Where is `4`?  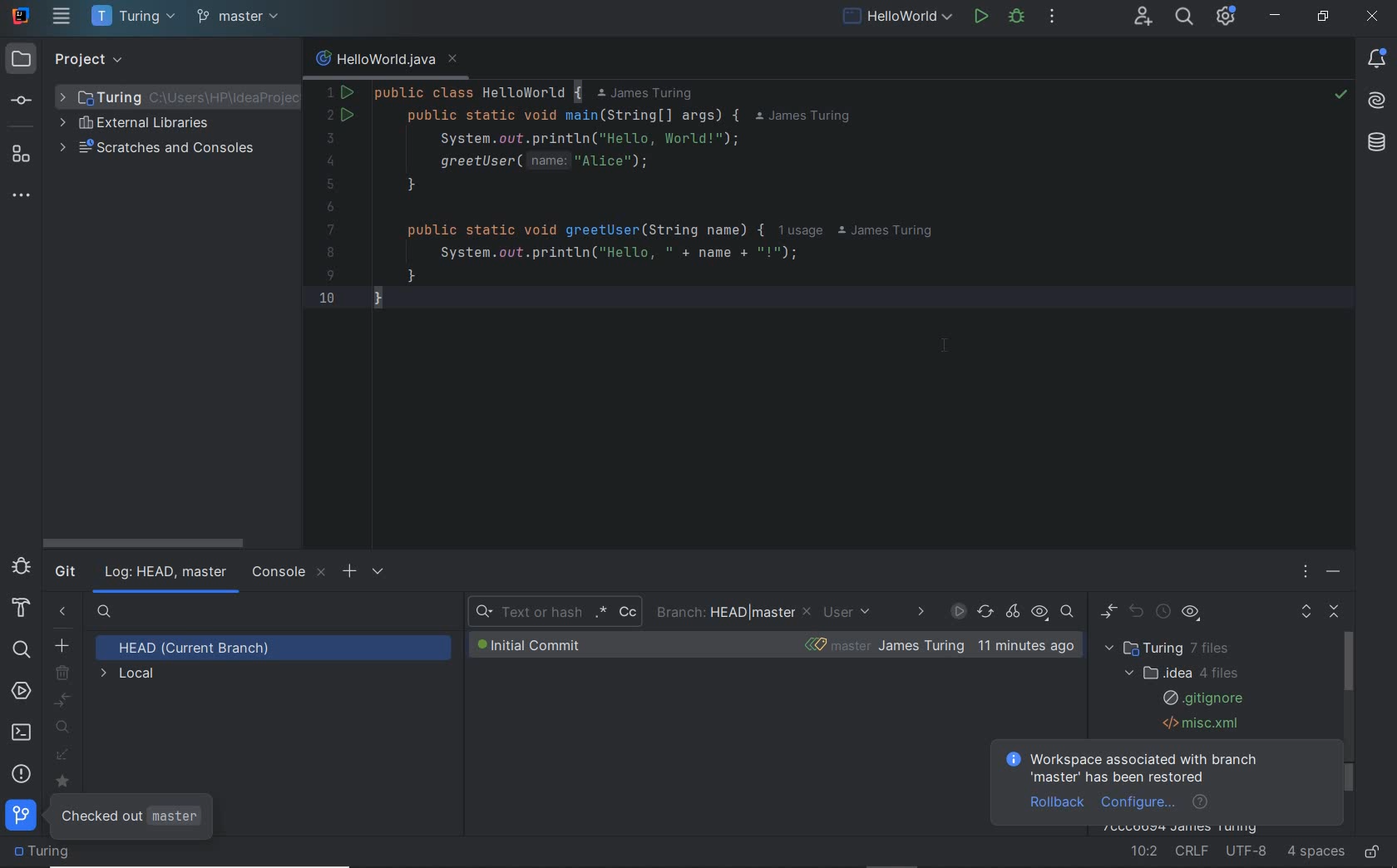
4 is located at coordinates (330, 161).